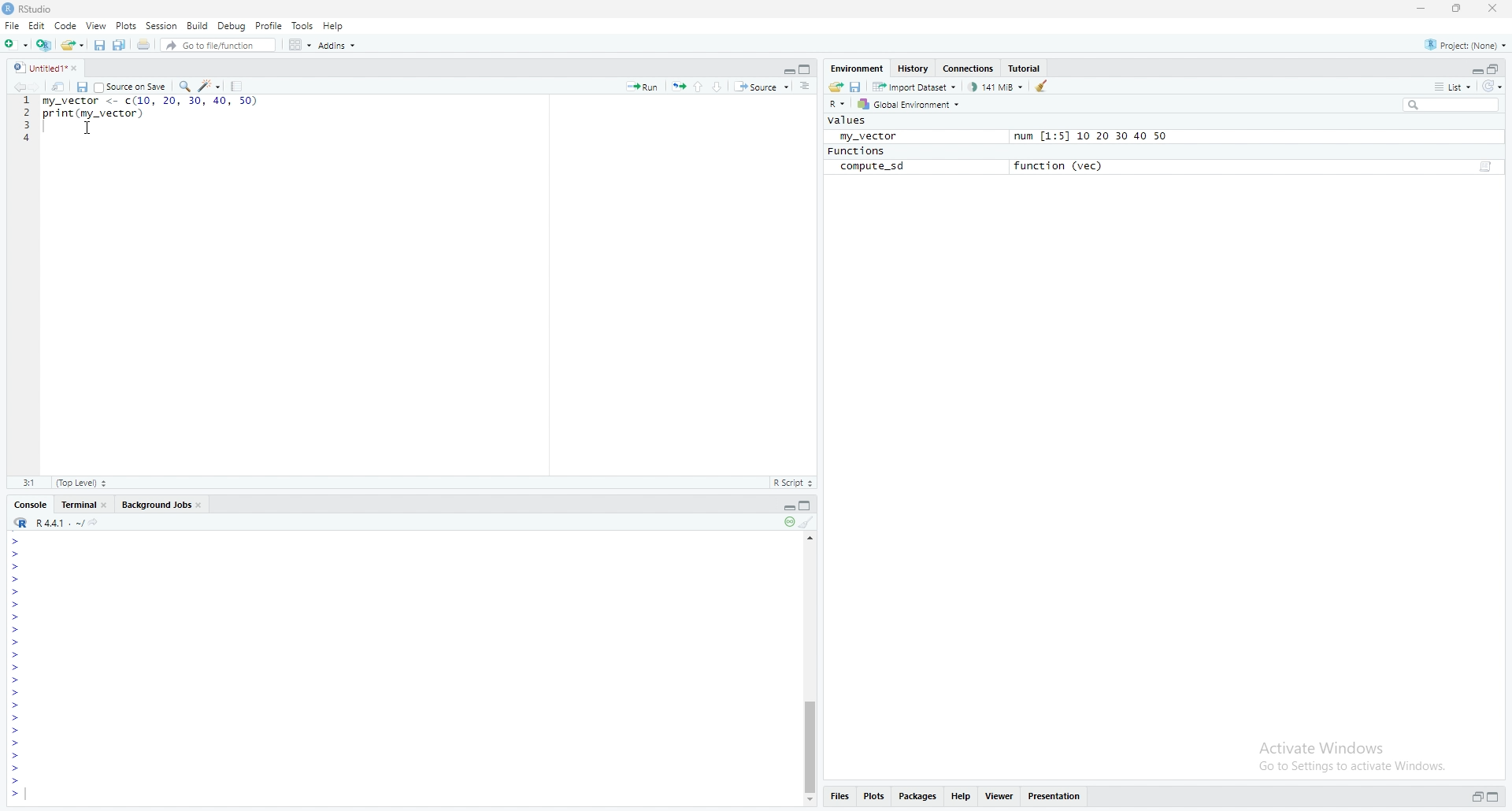  Describe the element at coordinates (238, 85) in the screenshot. I see `Compile report (Ctrl + Shift + K)` at that location.